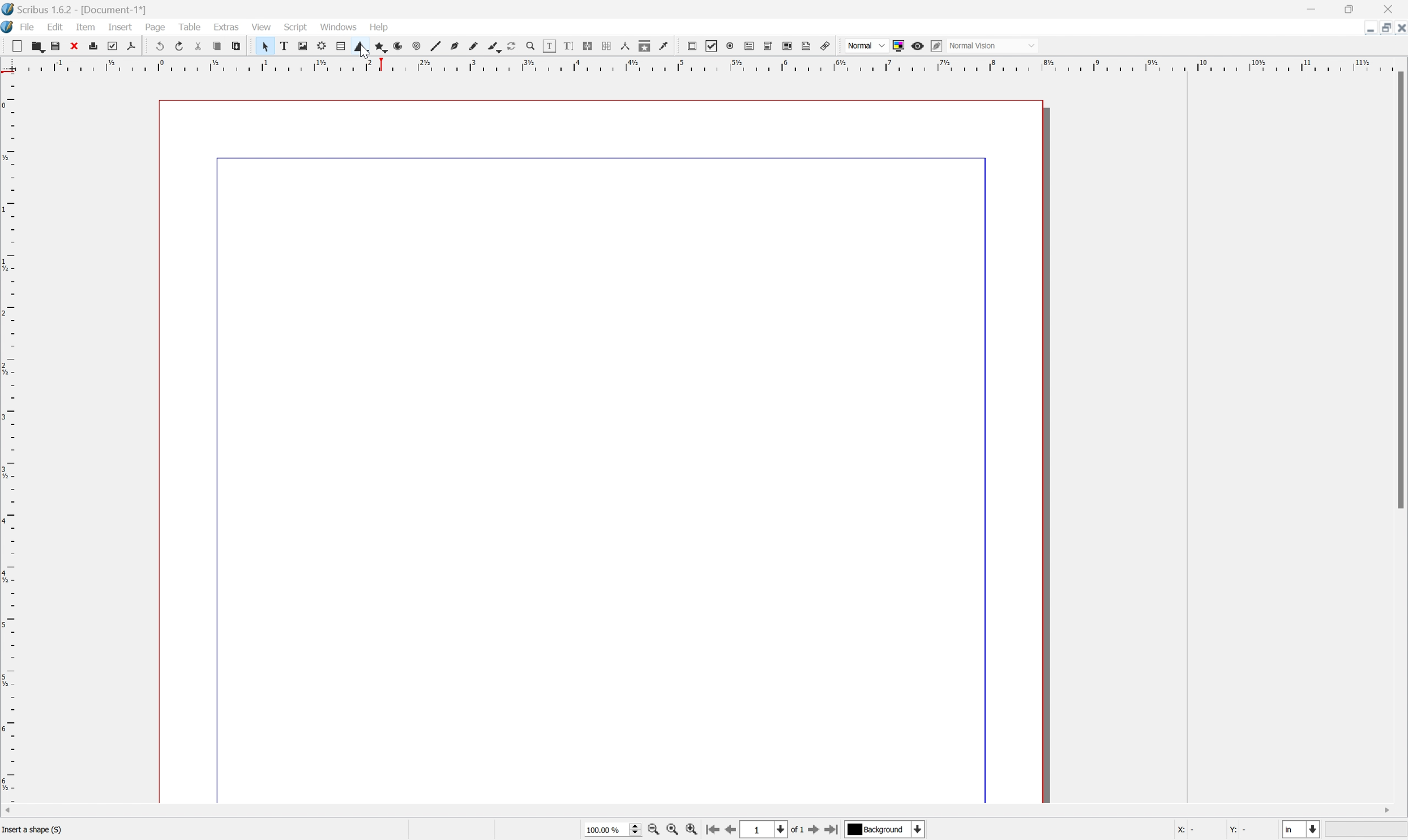 The image size is (1408, 840). I want to click on Paste, so click(241, 47).